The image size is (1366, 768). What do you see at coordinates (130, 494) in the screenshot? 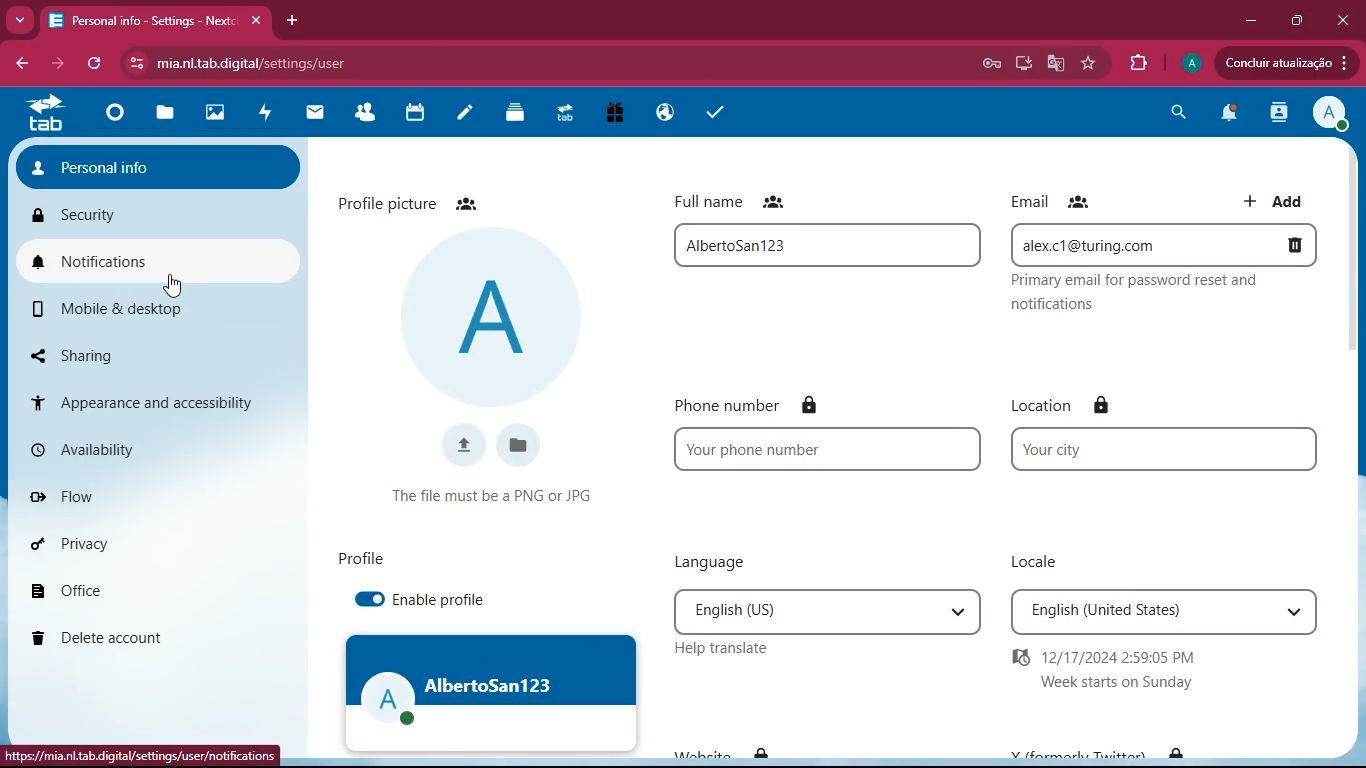
I see `flow` at bounding box center [130, 494].